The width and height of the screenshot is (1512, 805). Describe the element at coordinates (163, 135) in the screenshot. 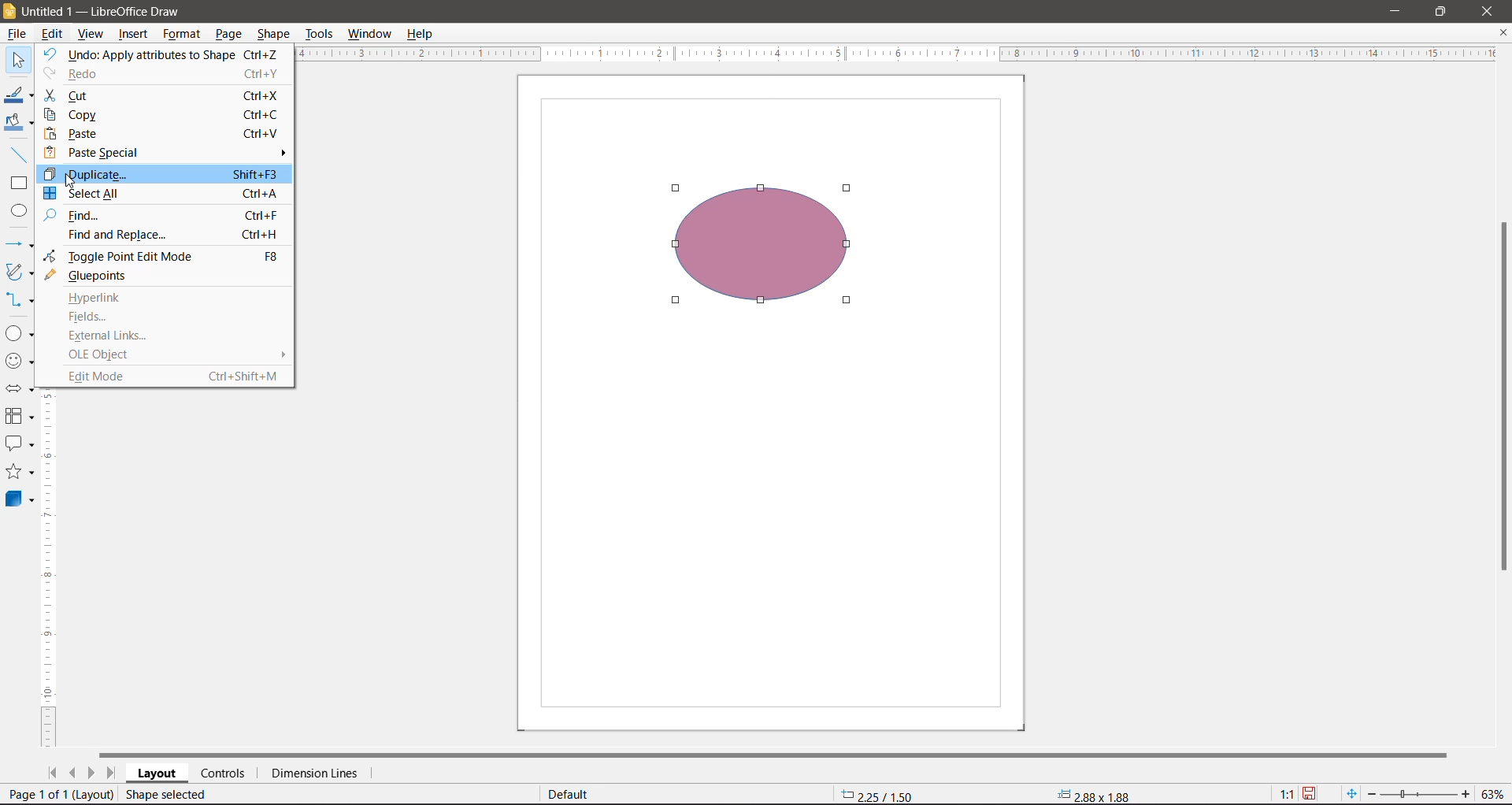

I see `Paste` at that location.